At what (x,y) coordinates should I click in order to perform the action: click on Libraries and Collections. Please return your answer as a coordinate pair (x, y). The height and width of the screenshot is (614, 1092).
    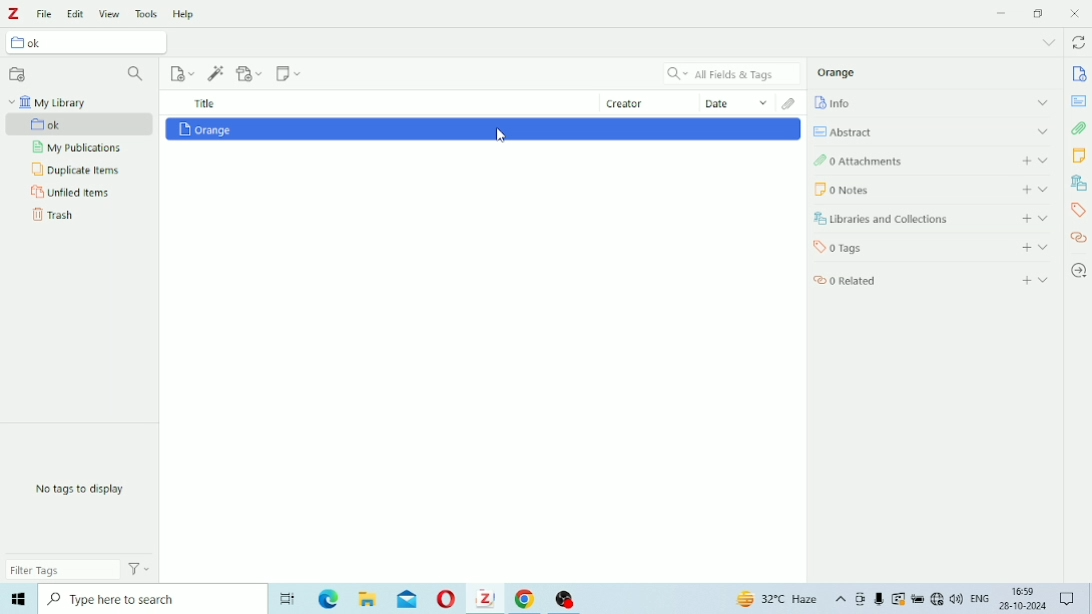
    Looking at the image, I should click on (932, 219).